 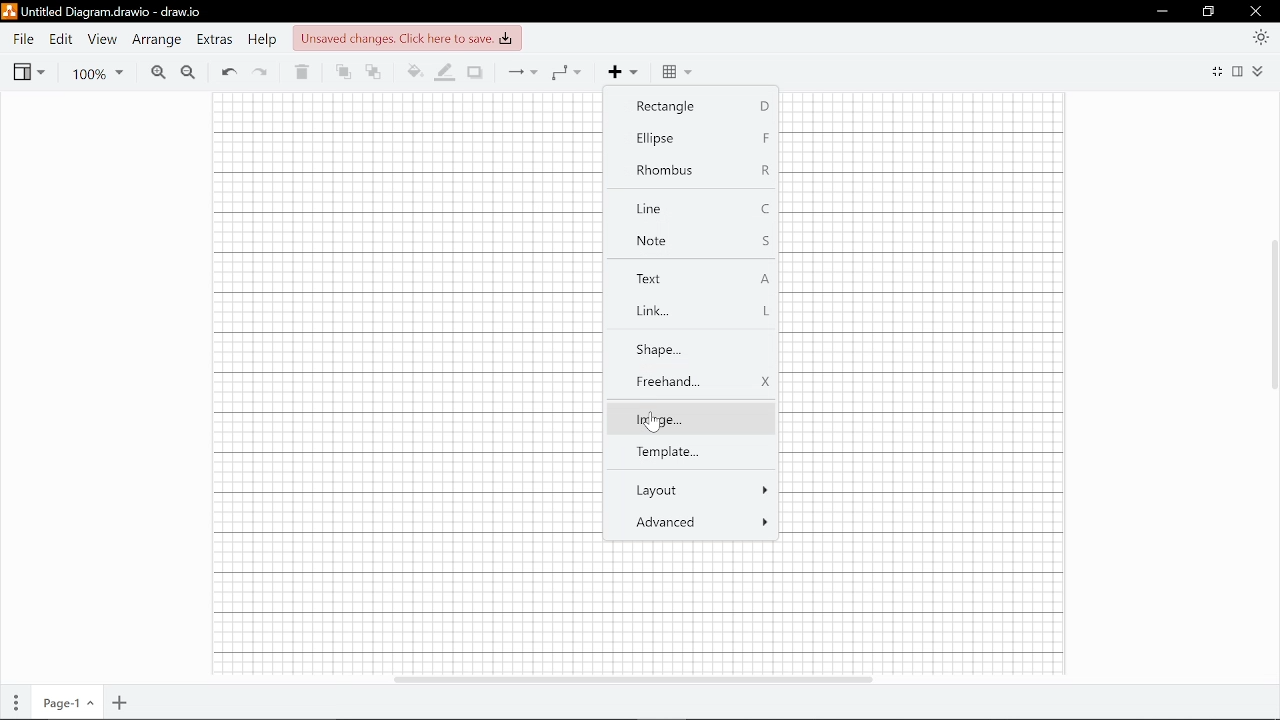 What do you see at coordinates (1218, 73) in the screenshot?
I see `Fullscreen` at bounding box center [1218, 73].